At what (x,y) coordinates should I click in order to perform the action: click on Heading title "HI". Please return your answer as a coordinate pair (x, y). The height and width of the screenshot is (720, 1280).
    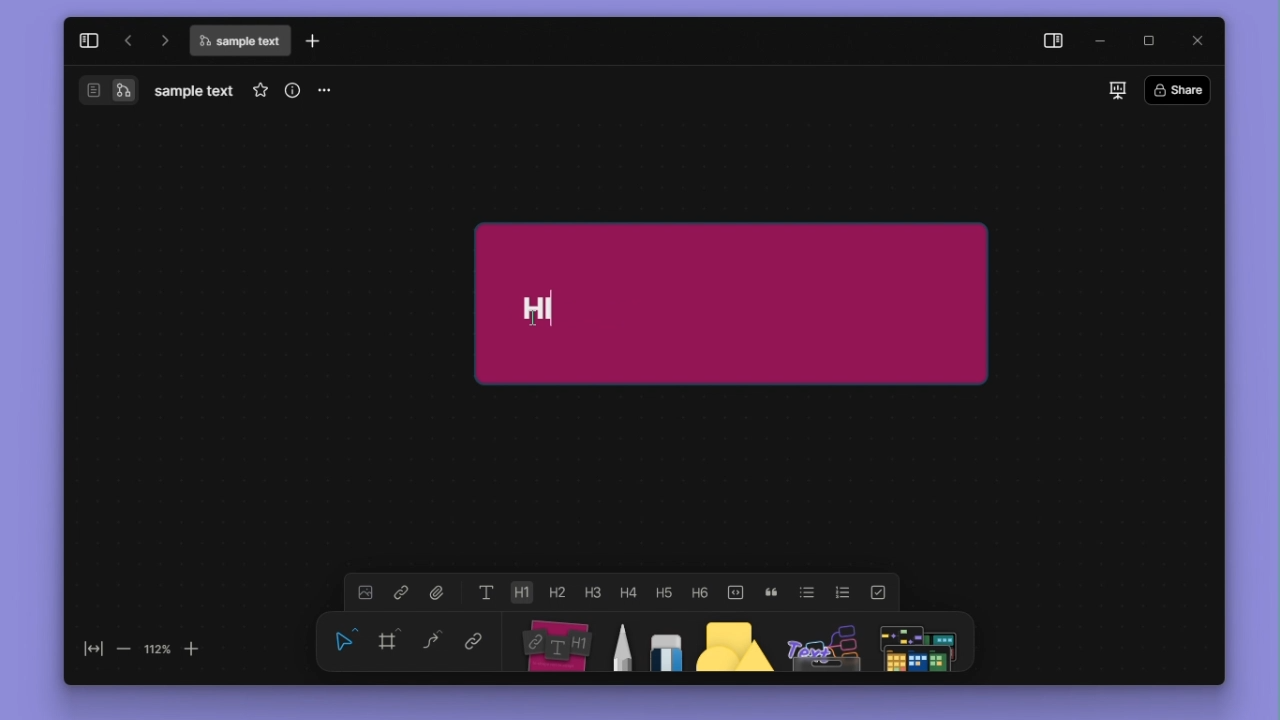
    Looking at the image, I should click on (540, 309).